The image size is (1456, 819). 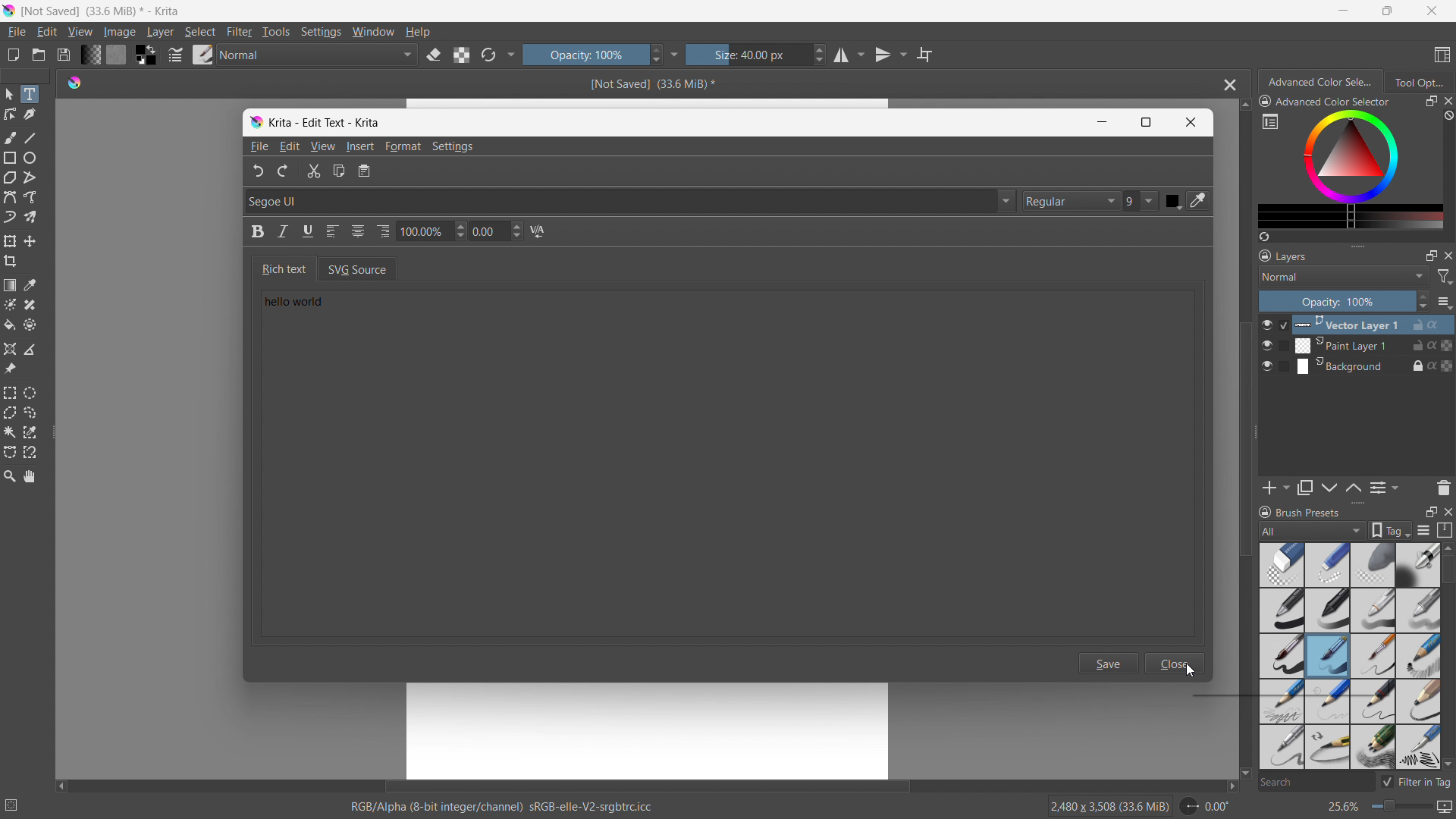 What do you see at coordinates (104, 10) in the screenshot?
I see `not saved (33.5 MB)* - Krita` at bounding box center [104, 10].